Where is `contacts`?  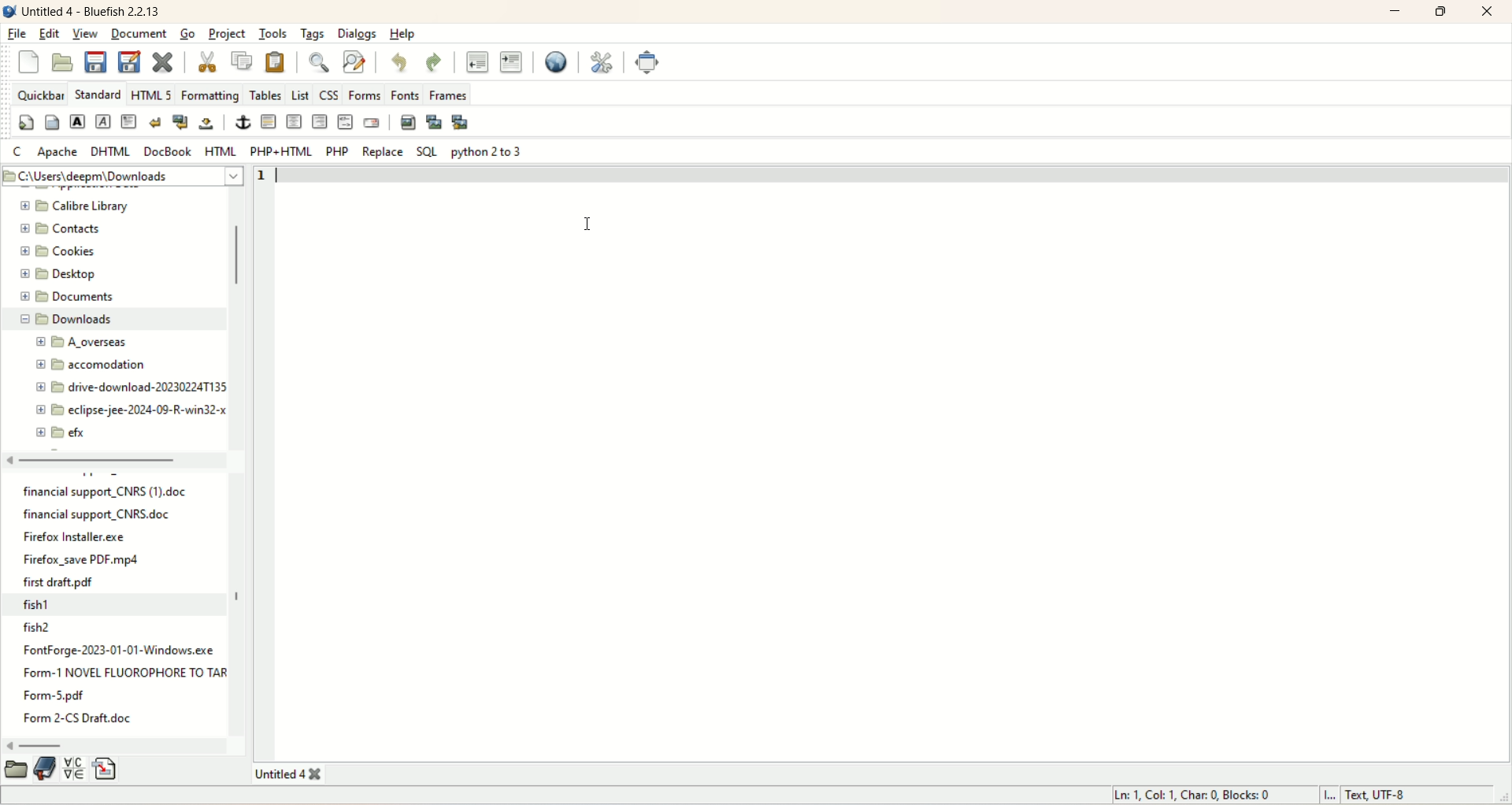 contacts is located at coordinates (60, 229).